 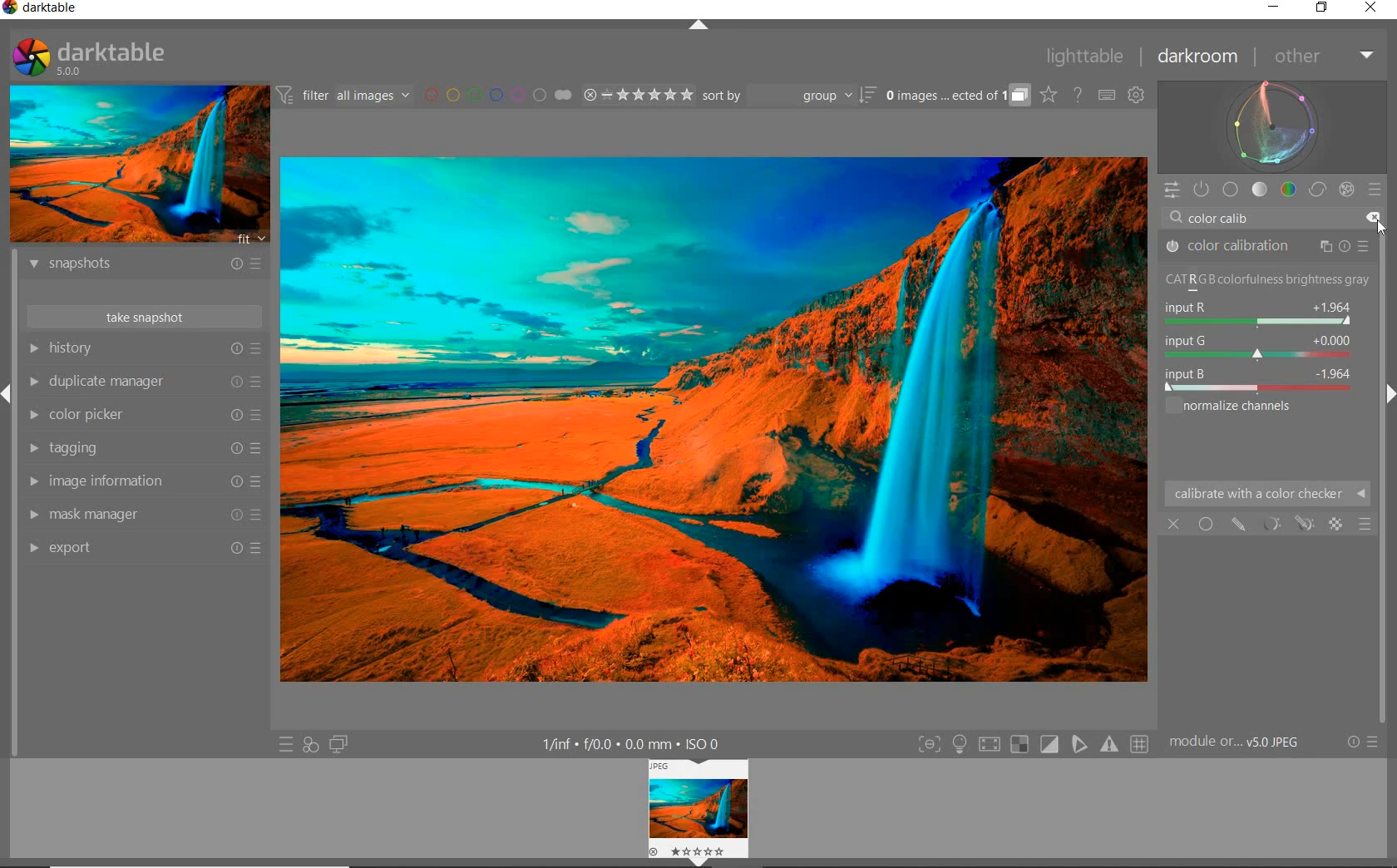 What do you see at coordinates (635, 743) in the screenshot?
I see `DISPLAYED GUI INFO` at bounding box center [635, 743].